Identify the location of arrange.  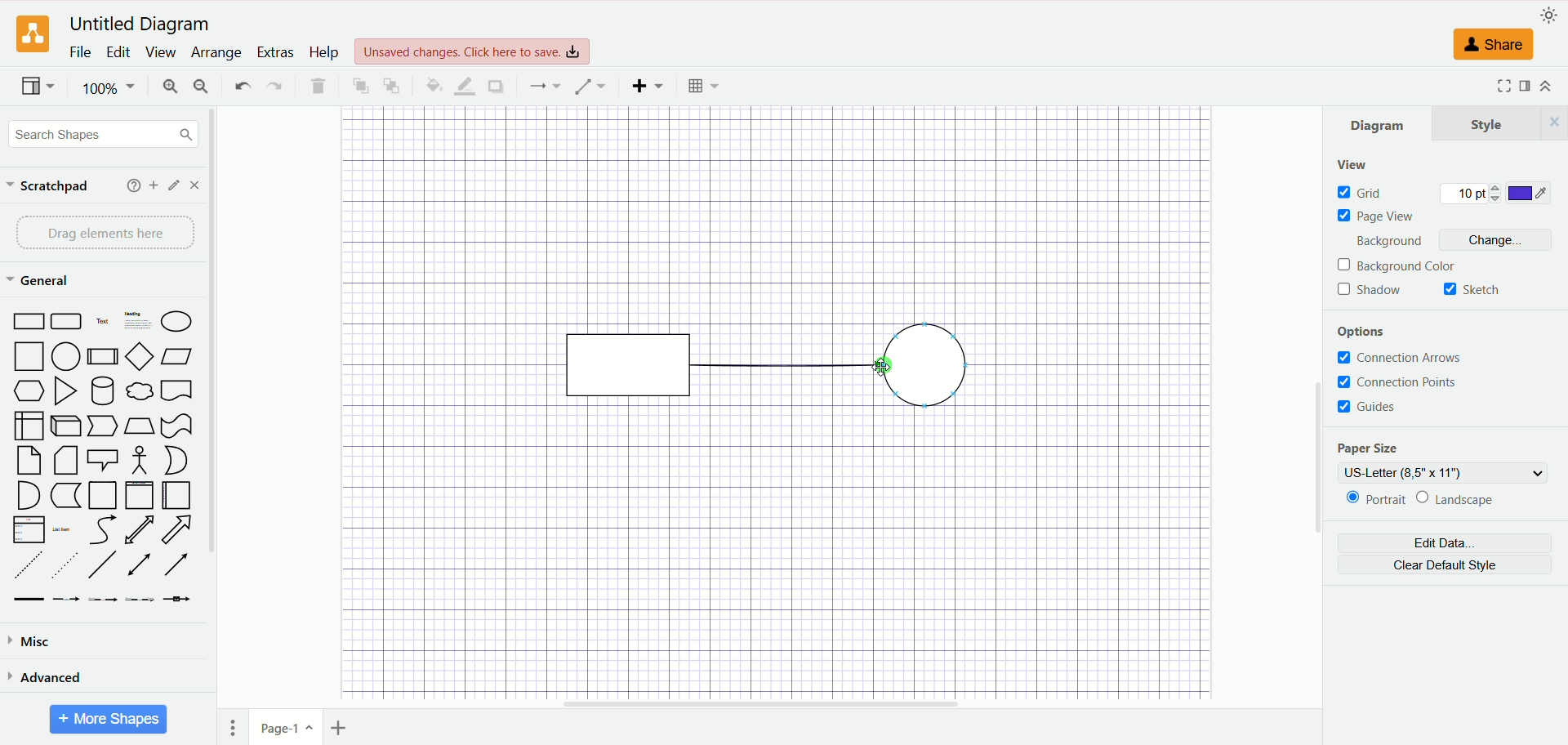
(216, 53).